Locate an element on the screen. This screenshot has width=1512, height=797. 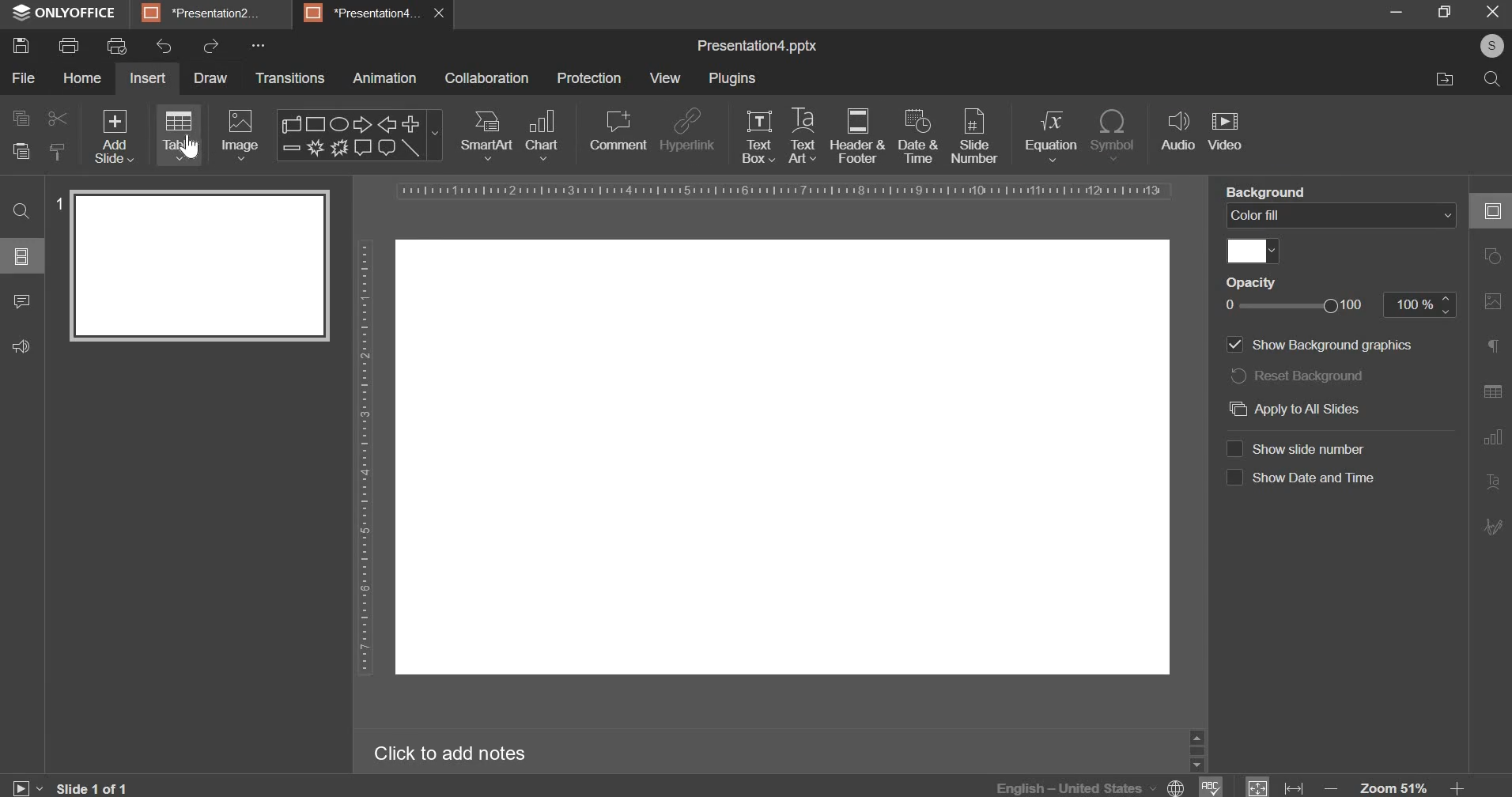
shapes is located at coordinates (360, 135).